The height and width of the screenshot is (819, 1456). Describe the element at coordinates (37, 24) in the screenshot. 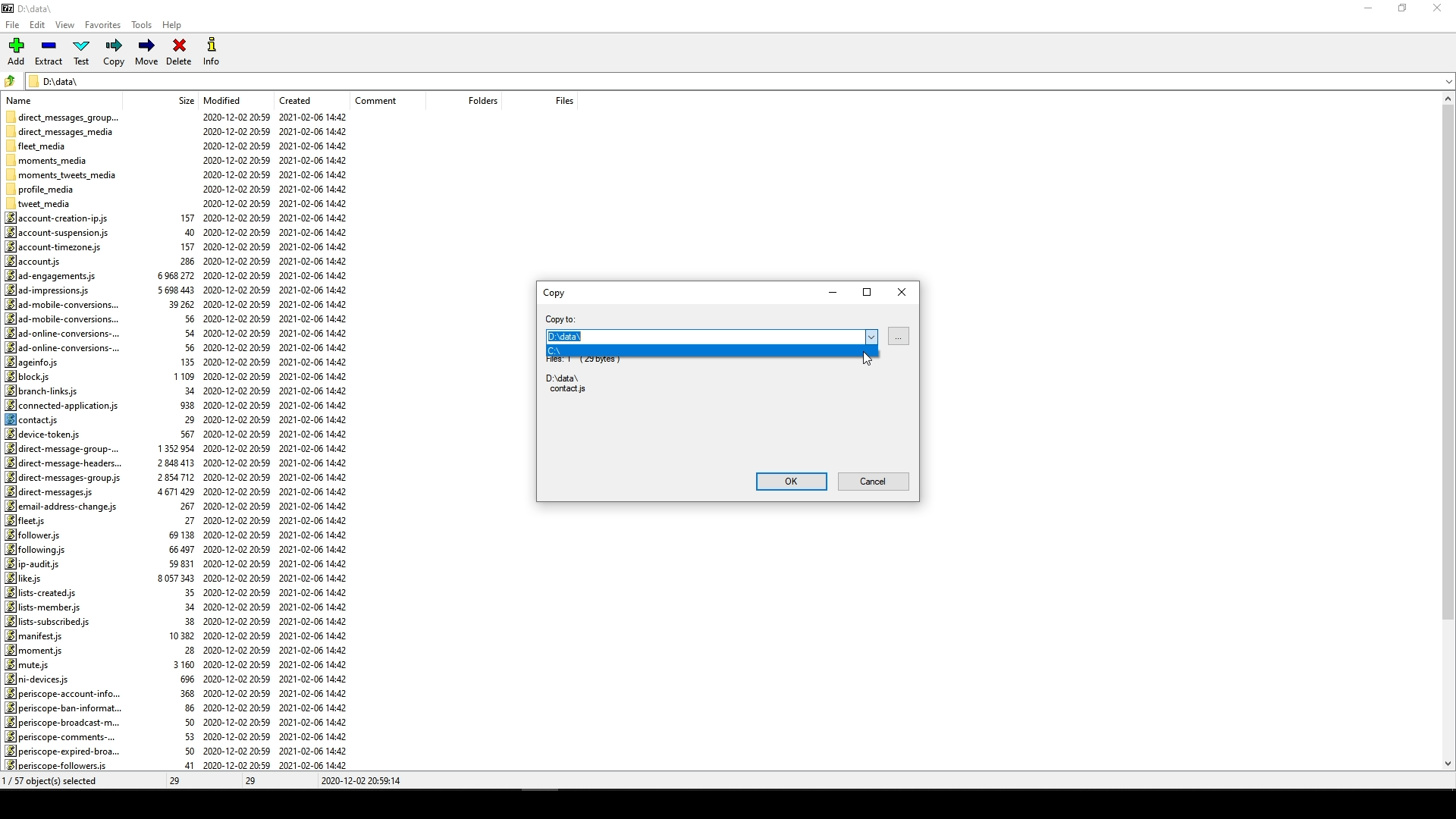

I see `Edit` at that location.